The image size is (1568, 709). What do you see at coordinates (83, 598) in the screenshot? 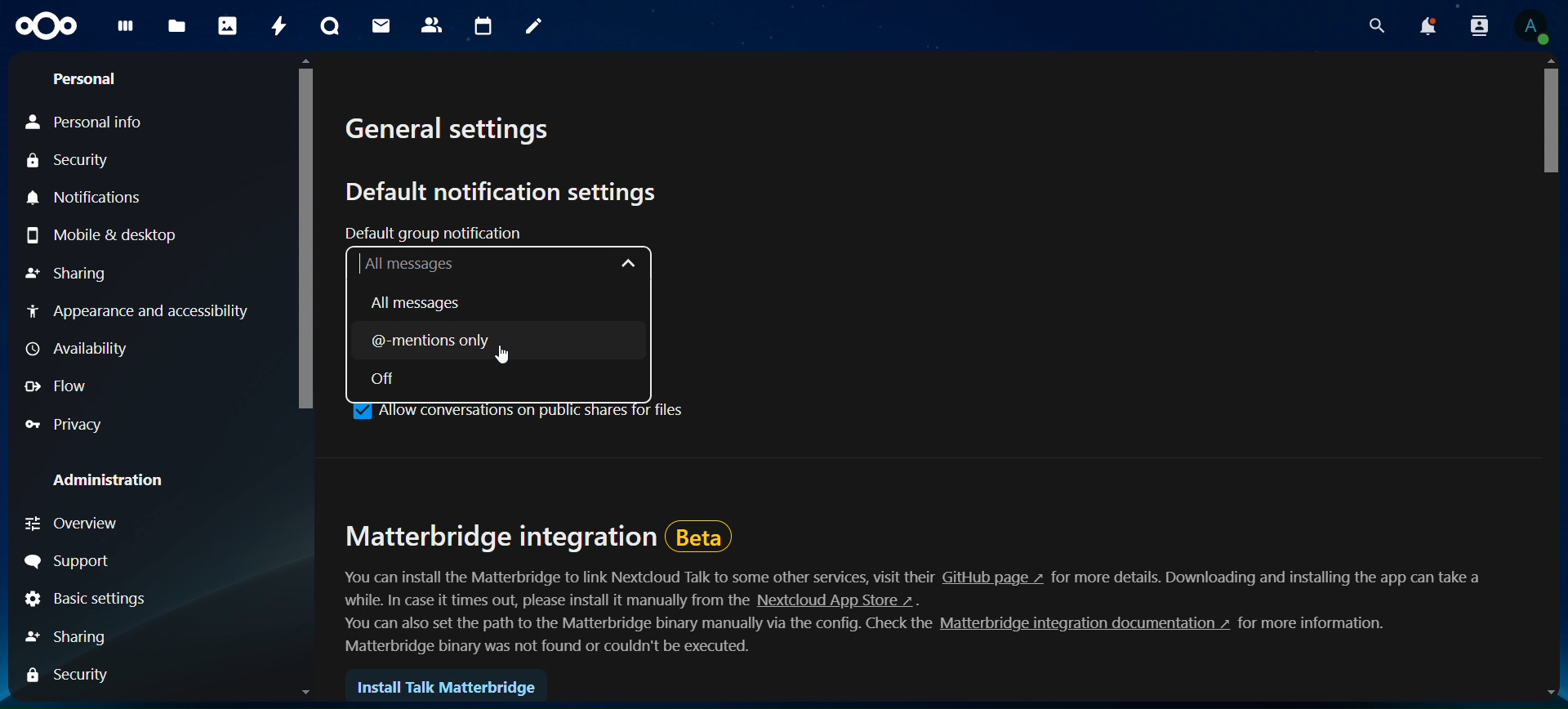
I see `basic settings` at bounding box center [83, 598].